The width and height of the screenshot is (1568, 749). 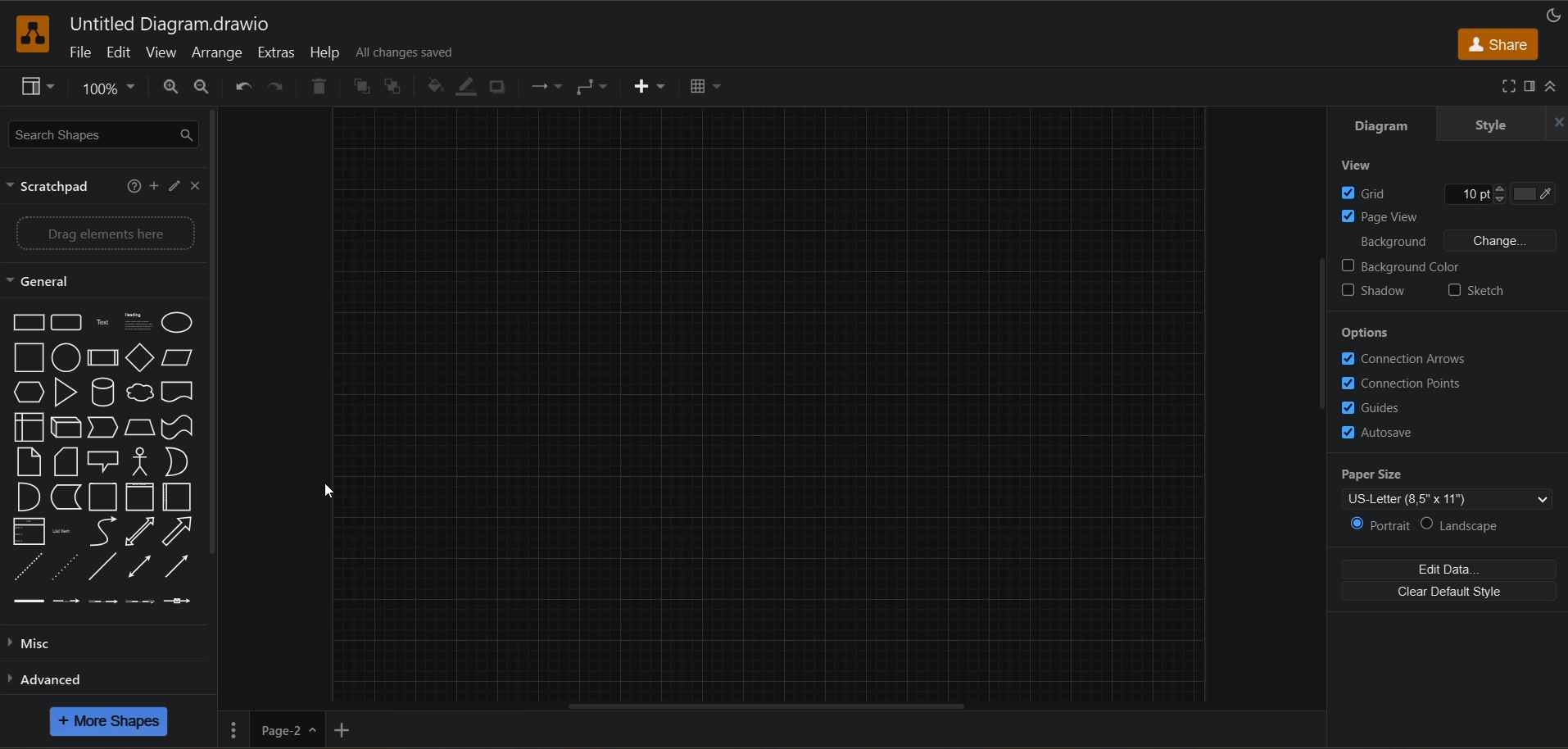 I want to click on edit, so click(x=172, y=186).